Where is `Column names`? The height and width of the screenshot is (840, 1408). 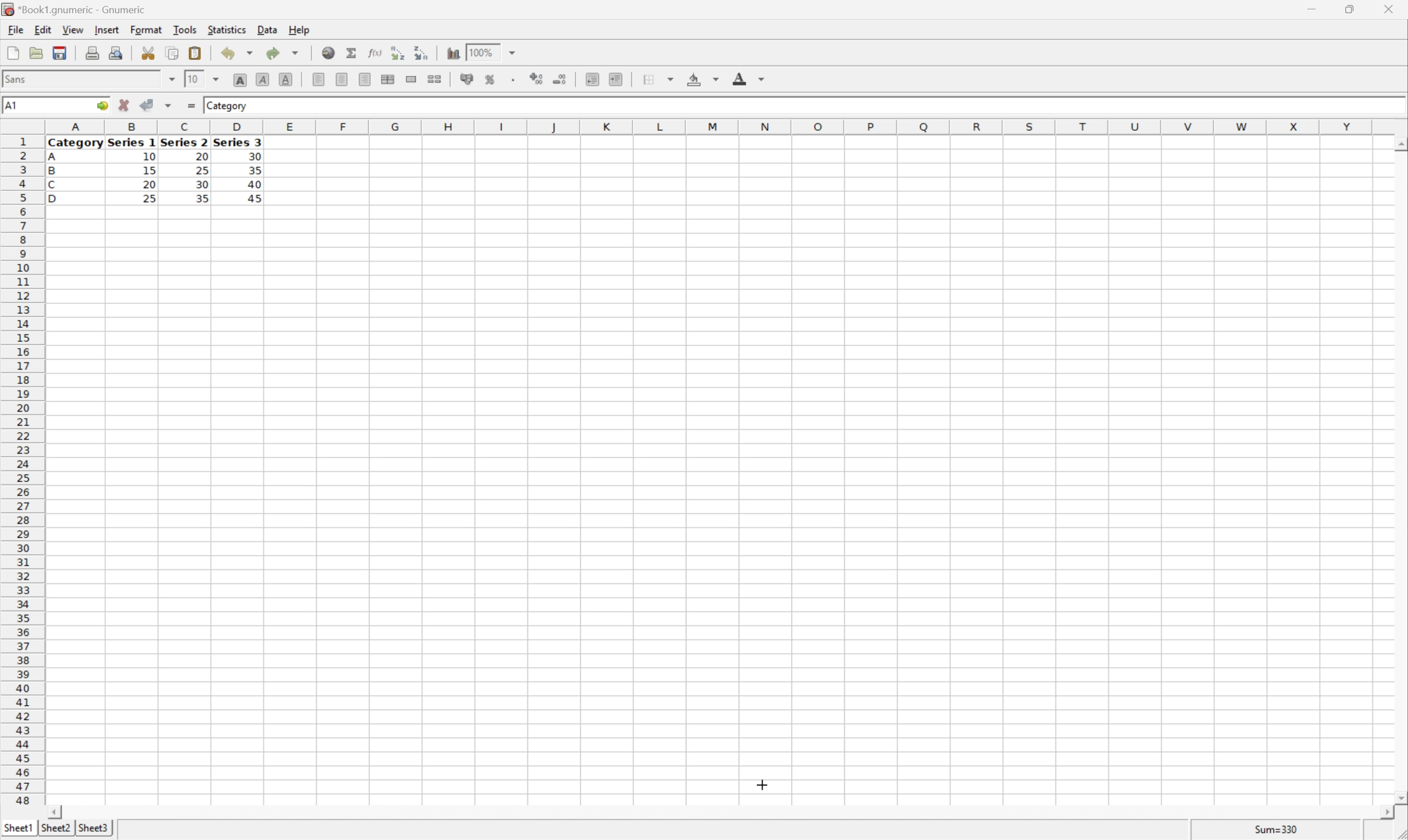 Column names is located at coordinates (713, 128).